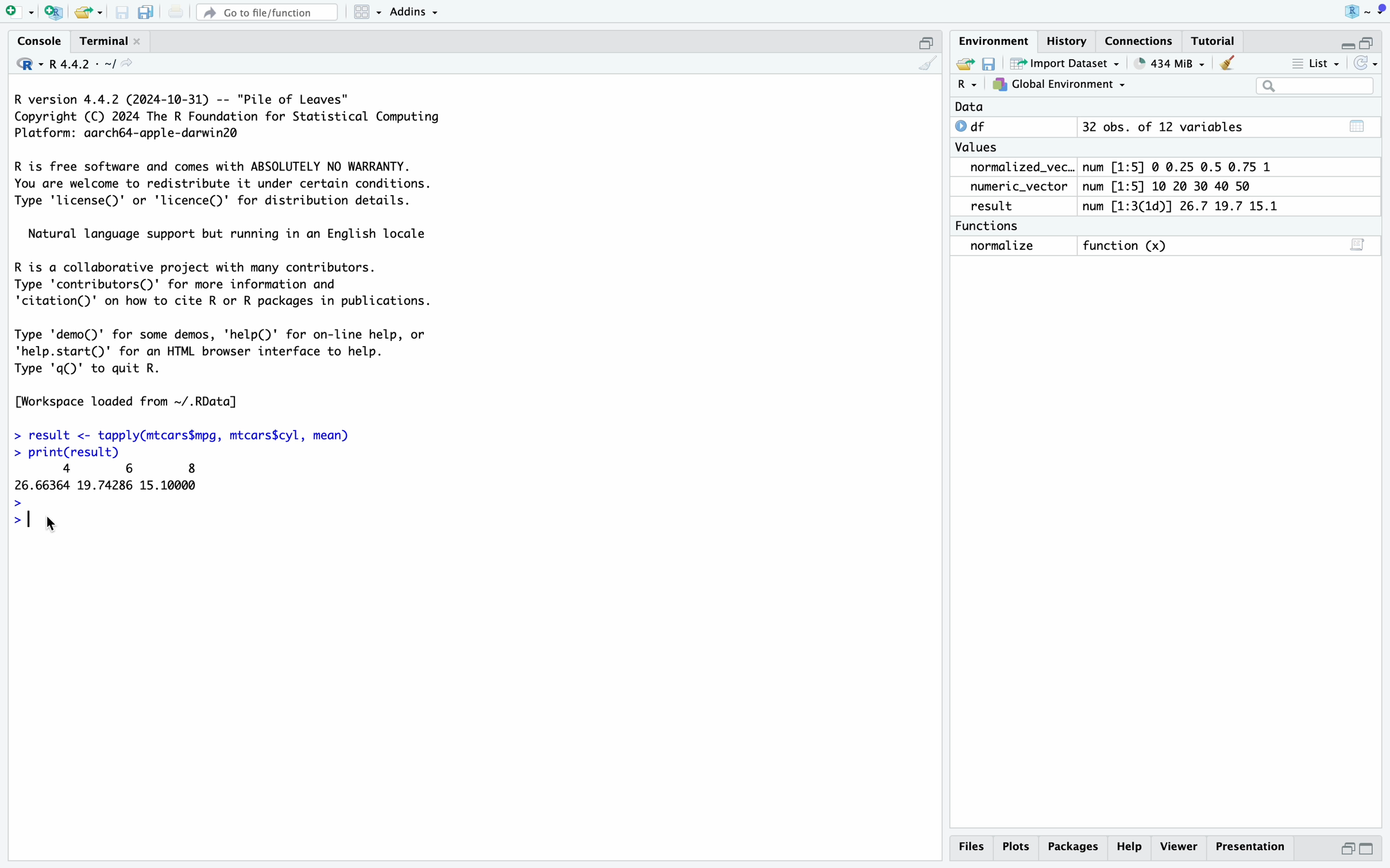 This screenshot has height=868, width=1390. I want to click on Calender, so click(1358, 126).